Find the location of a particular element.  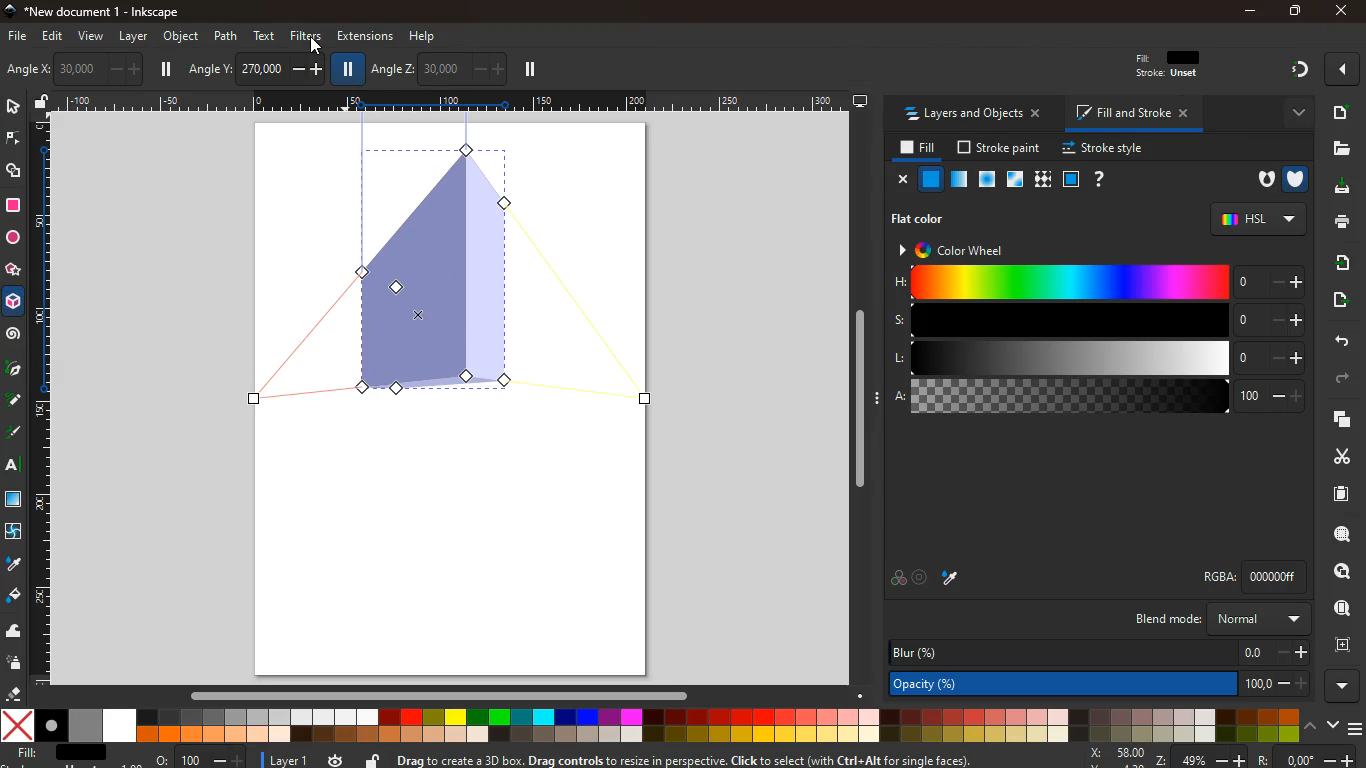

frame is located at coordinates (1342, 645).